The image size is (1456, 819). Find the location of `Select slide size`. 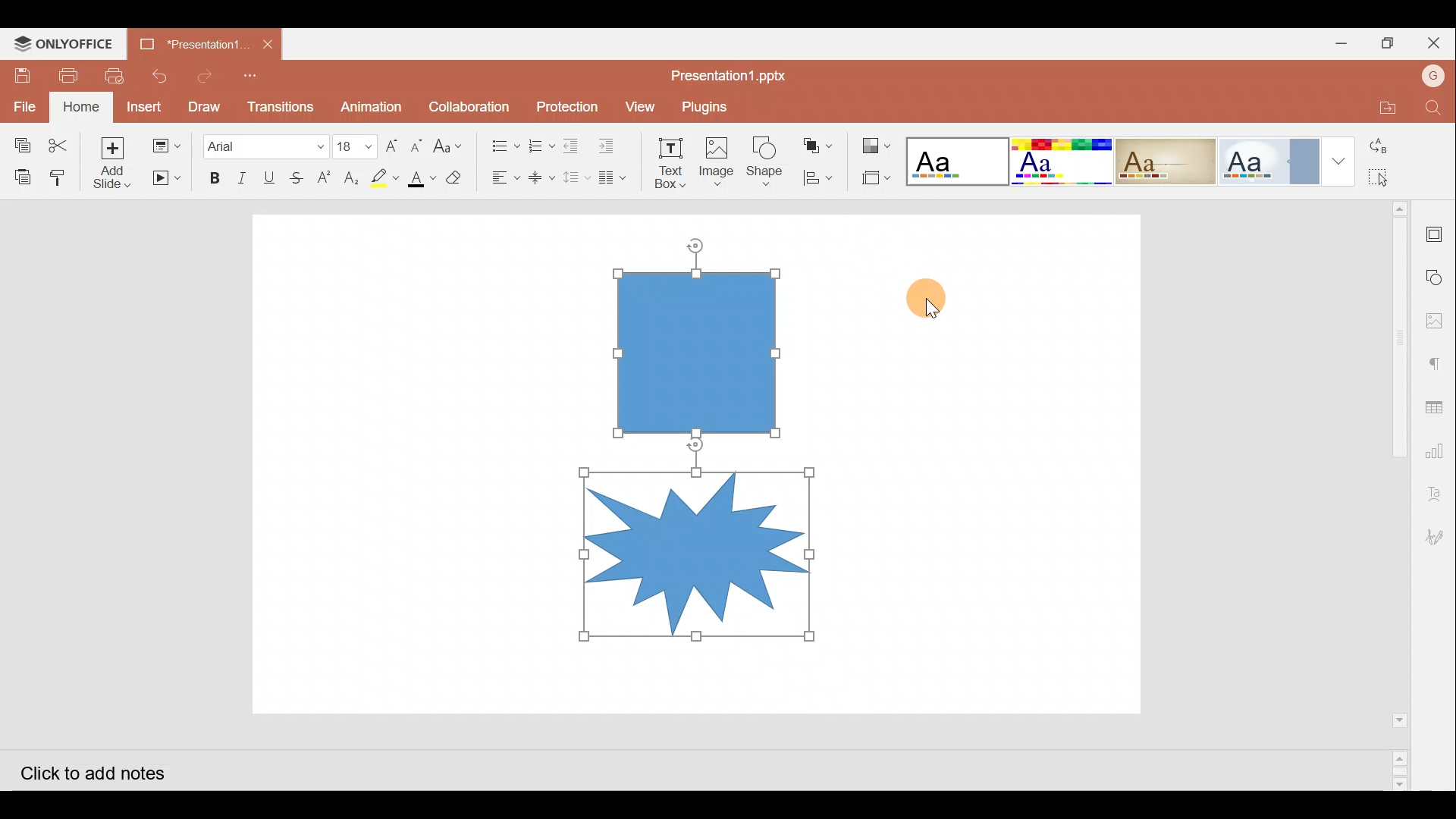

Select slide size is located at coordinates (874, 178).